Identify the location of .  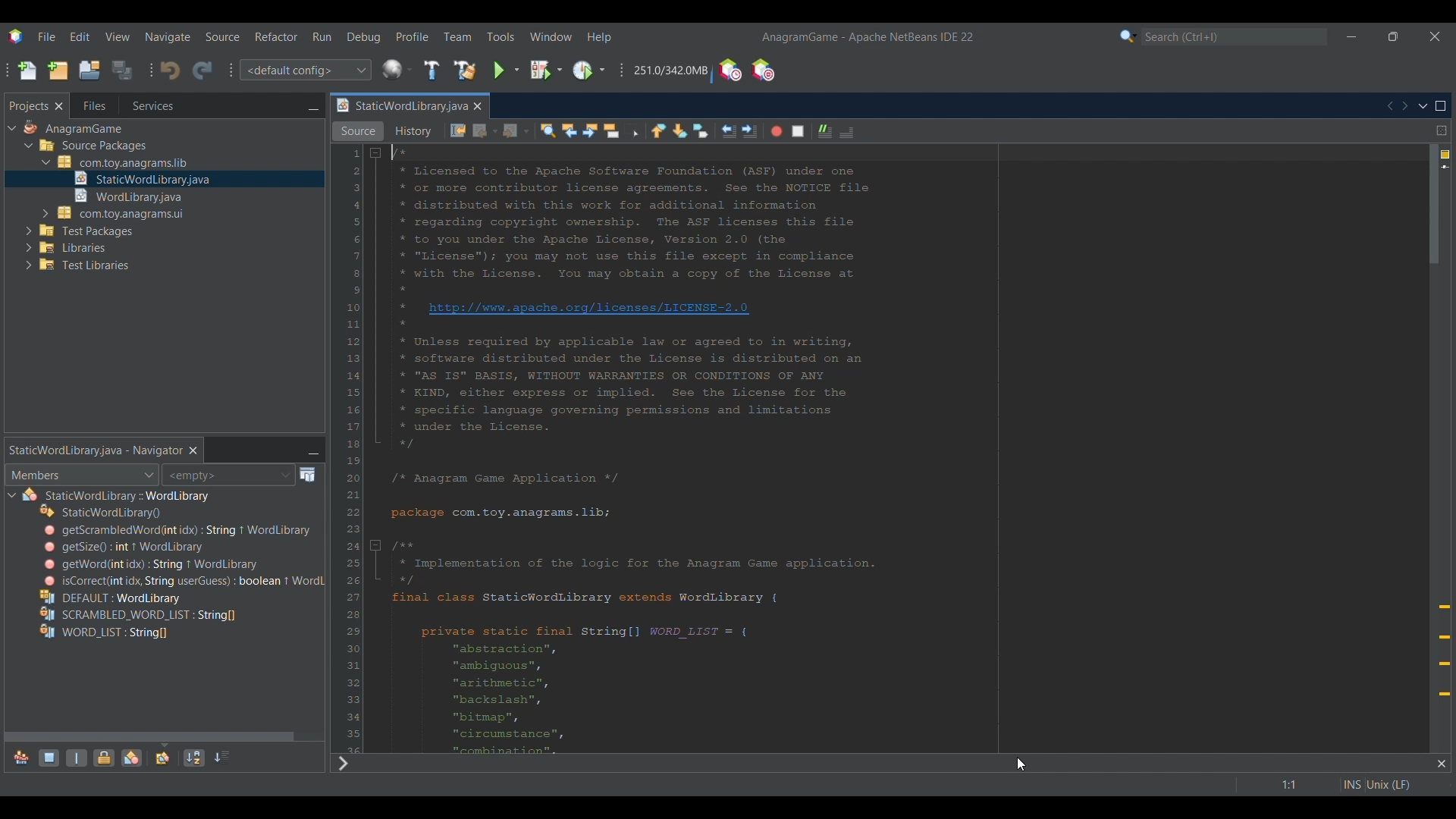
(178, 530).